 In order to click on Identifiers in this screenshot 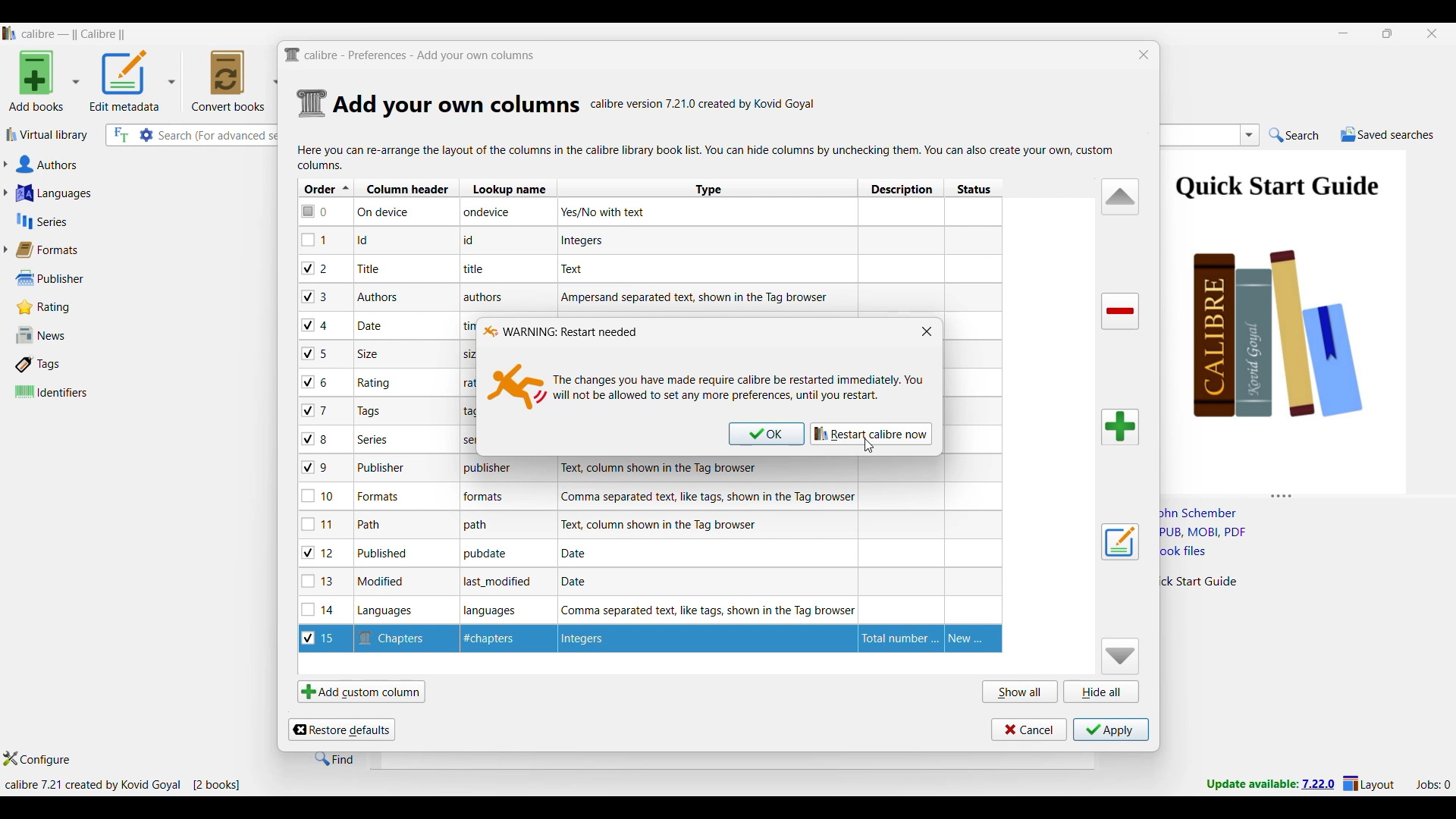, I will do `click(74, 391)`.